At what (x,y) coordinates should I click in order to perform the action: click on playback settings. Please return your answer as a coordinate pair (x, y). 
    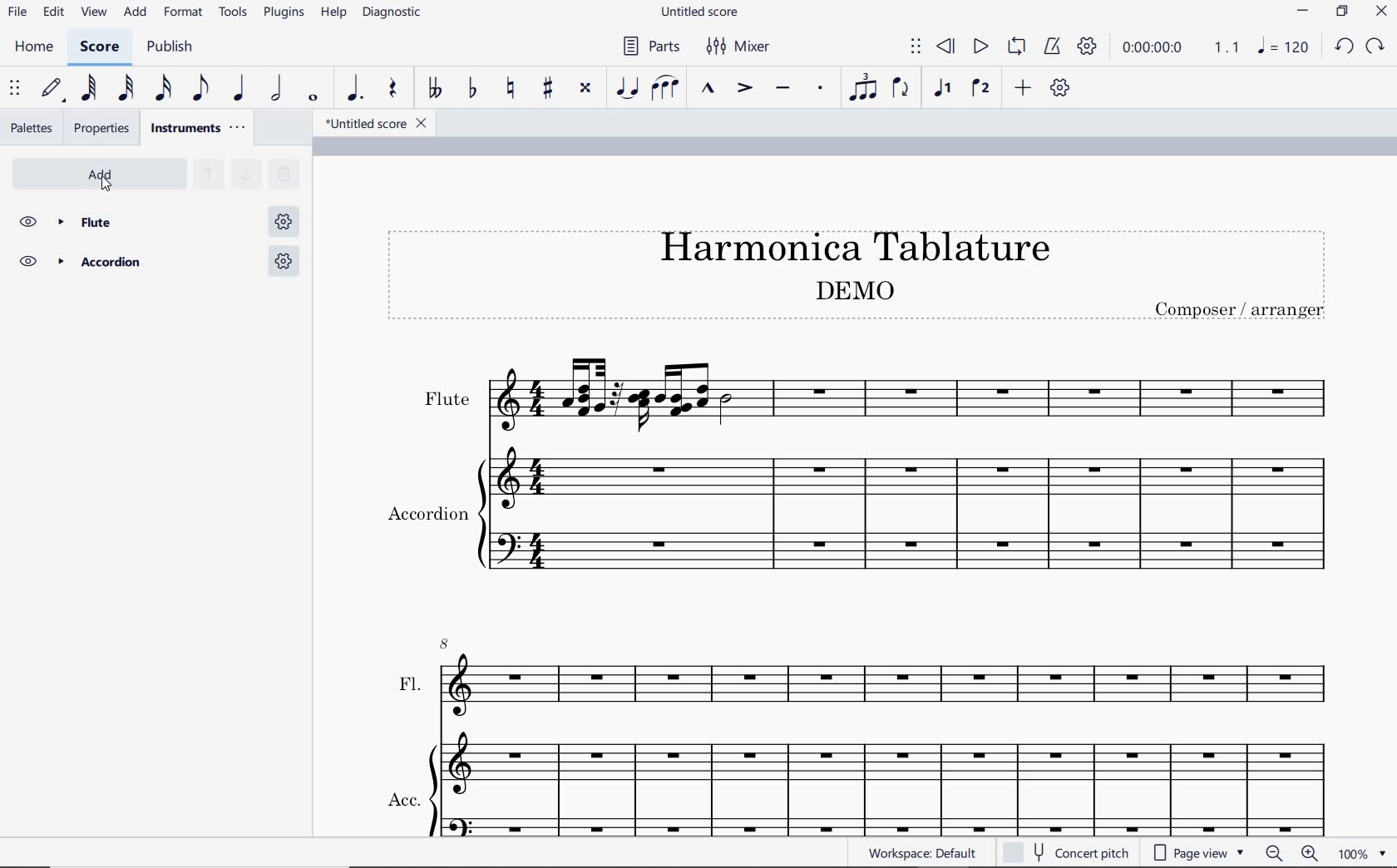
    Looking at the image, I should click on (1086, 47).